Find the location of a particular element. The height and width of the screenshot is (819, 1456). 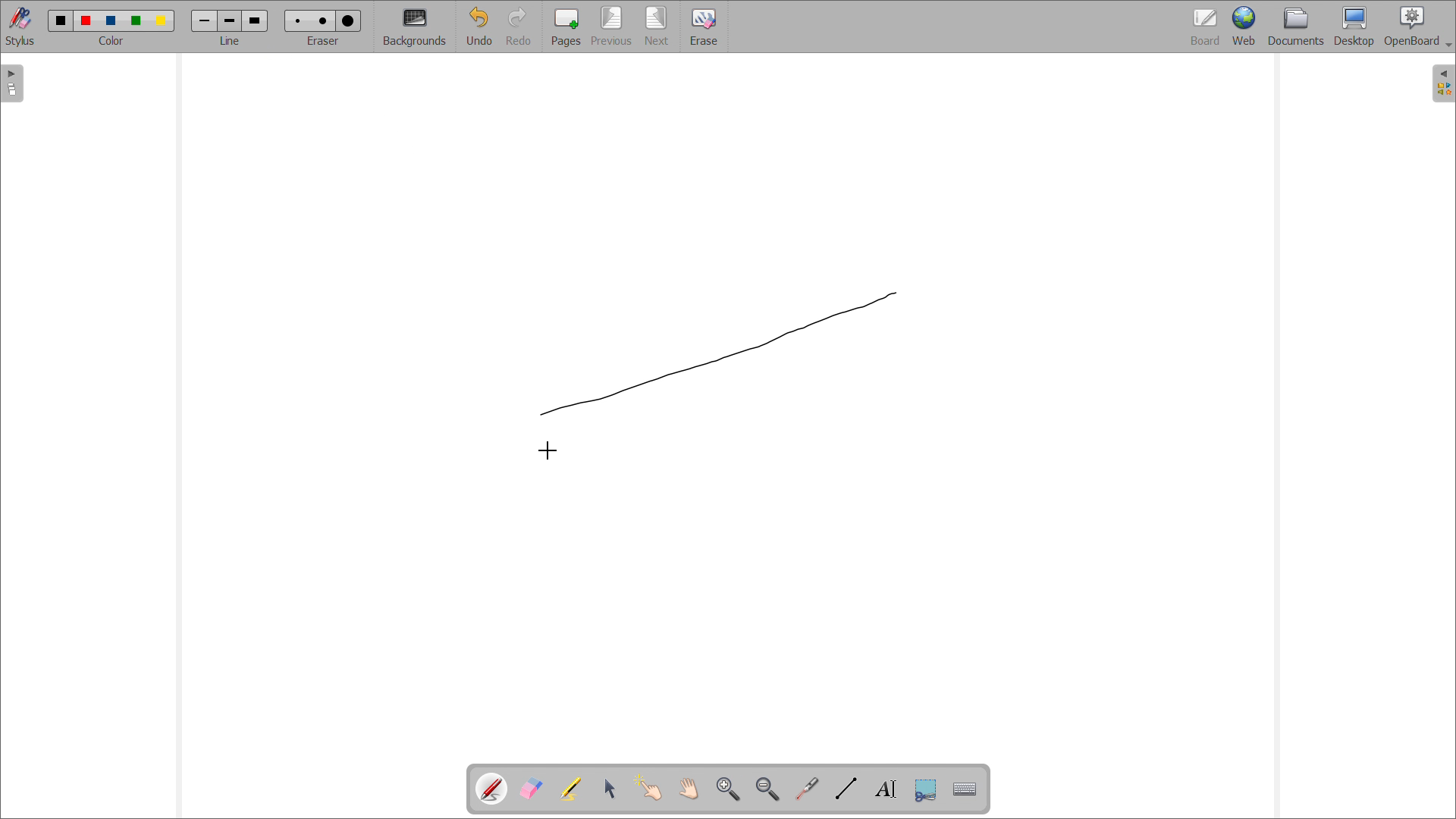

line width size is located at coordinates (206, 22).